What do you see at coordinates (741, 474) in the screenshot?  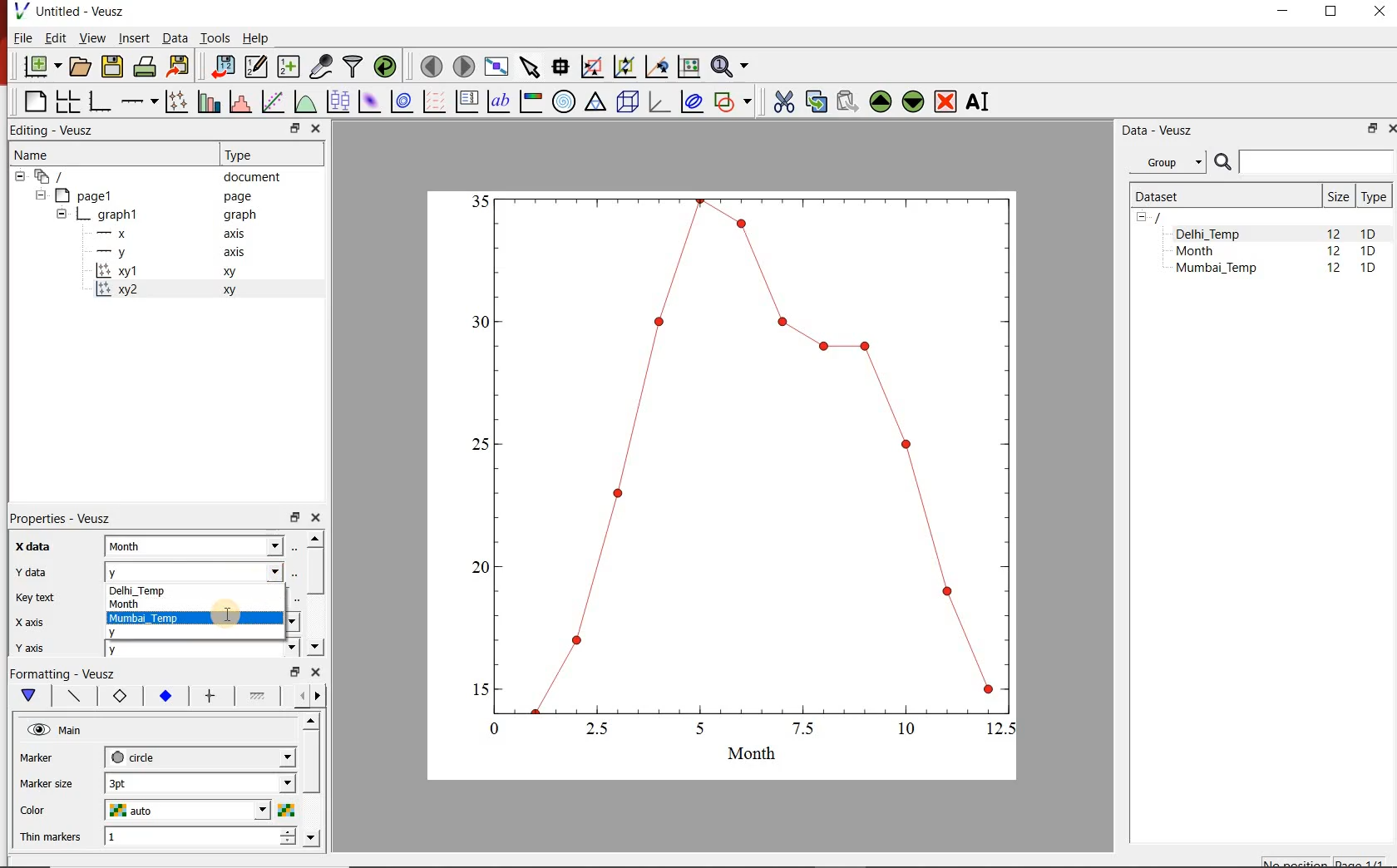 I see `graph1` at bounding box center [741, 474].